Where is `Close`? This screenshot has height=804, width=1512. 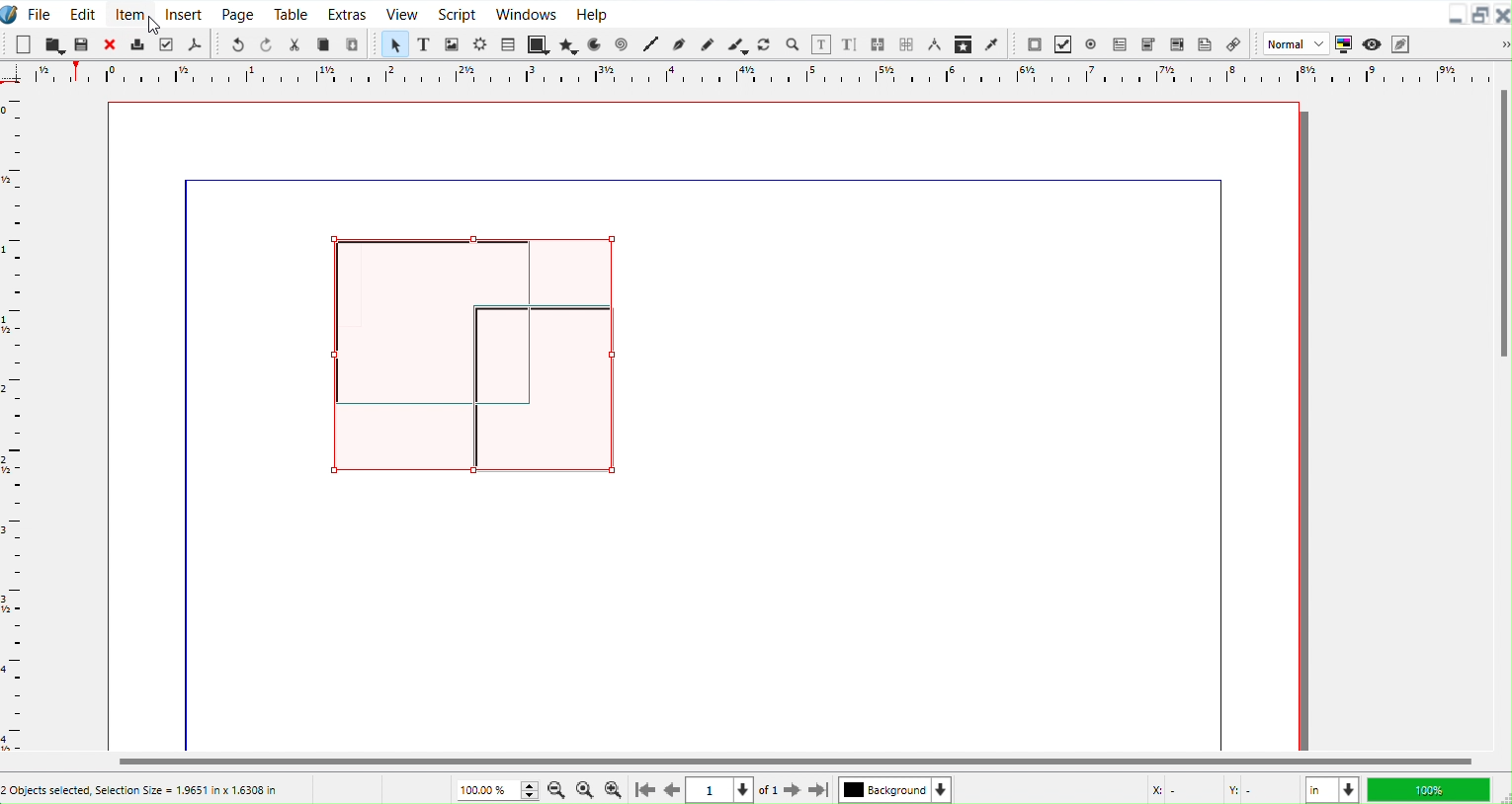 Close is located at coordinates (108, 44).